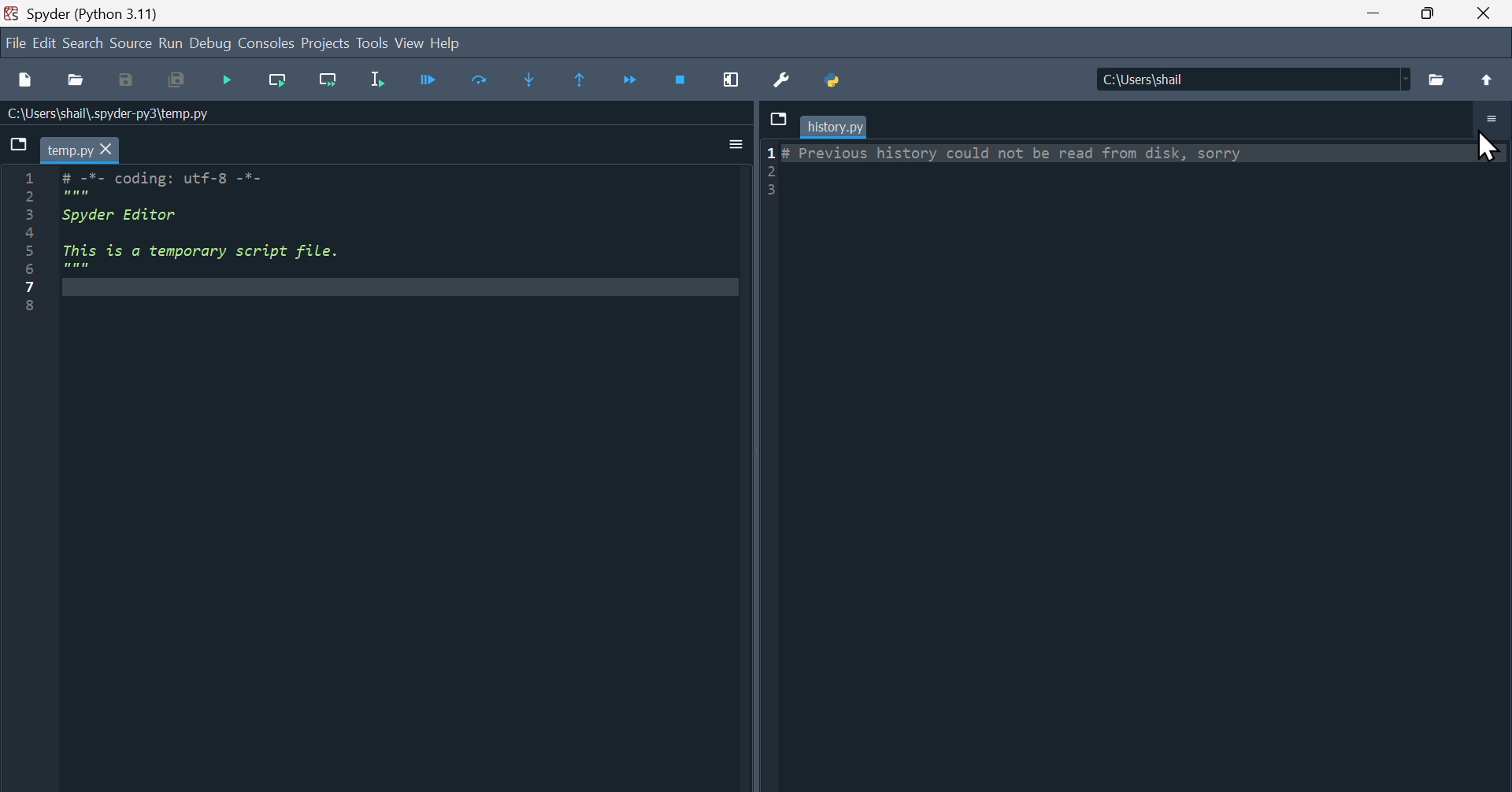 This screenshot has height=792, width=1512. I want to click on Save as, so click(132, 82).